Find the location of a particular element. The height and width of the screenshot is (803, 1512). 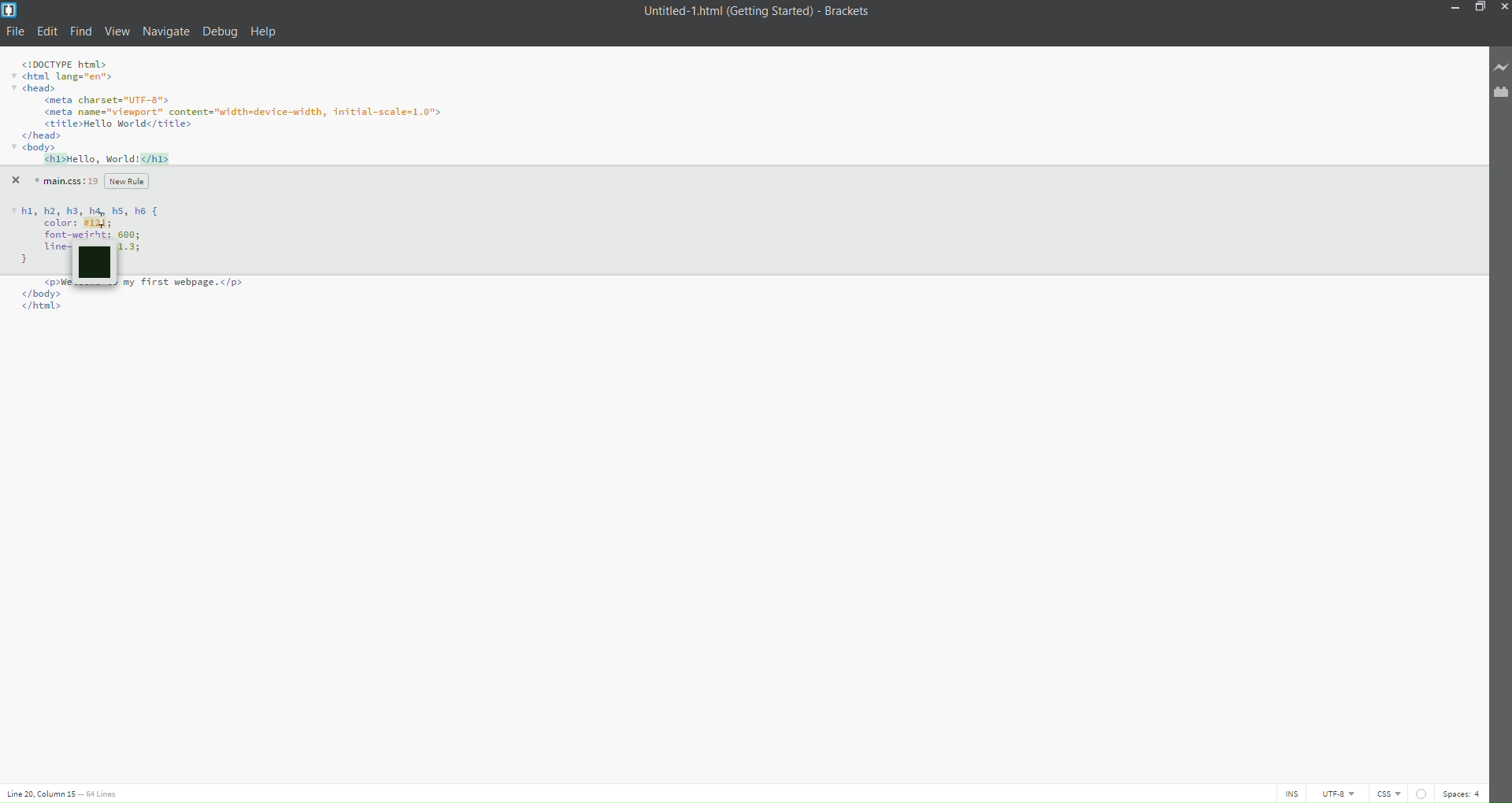

color is located at coordinates (98, 265).